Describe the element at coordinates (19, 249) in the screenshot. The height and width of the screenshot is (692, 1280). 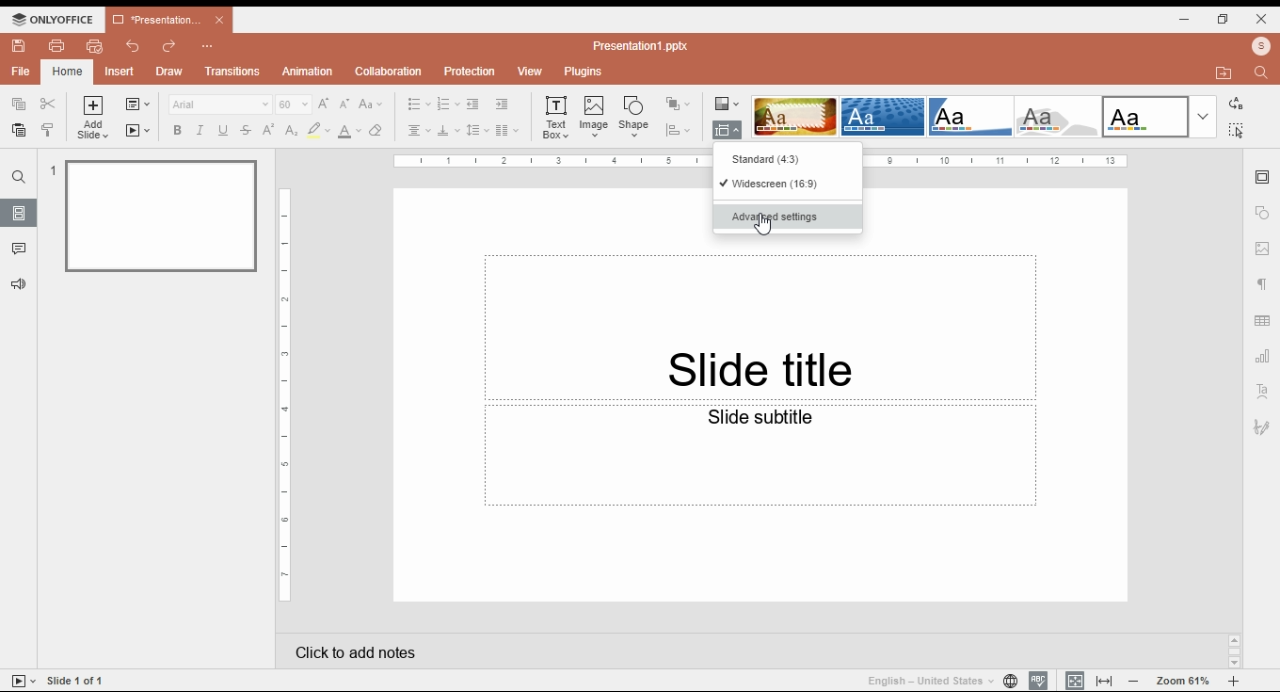
I see `comments` at that location.